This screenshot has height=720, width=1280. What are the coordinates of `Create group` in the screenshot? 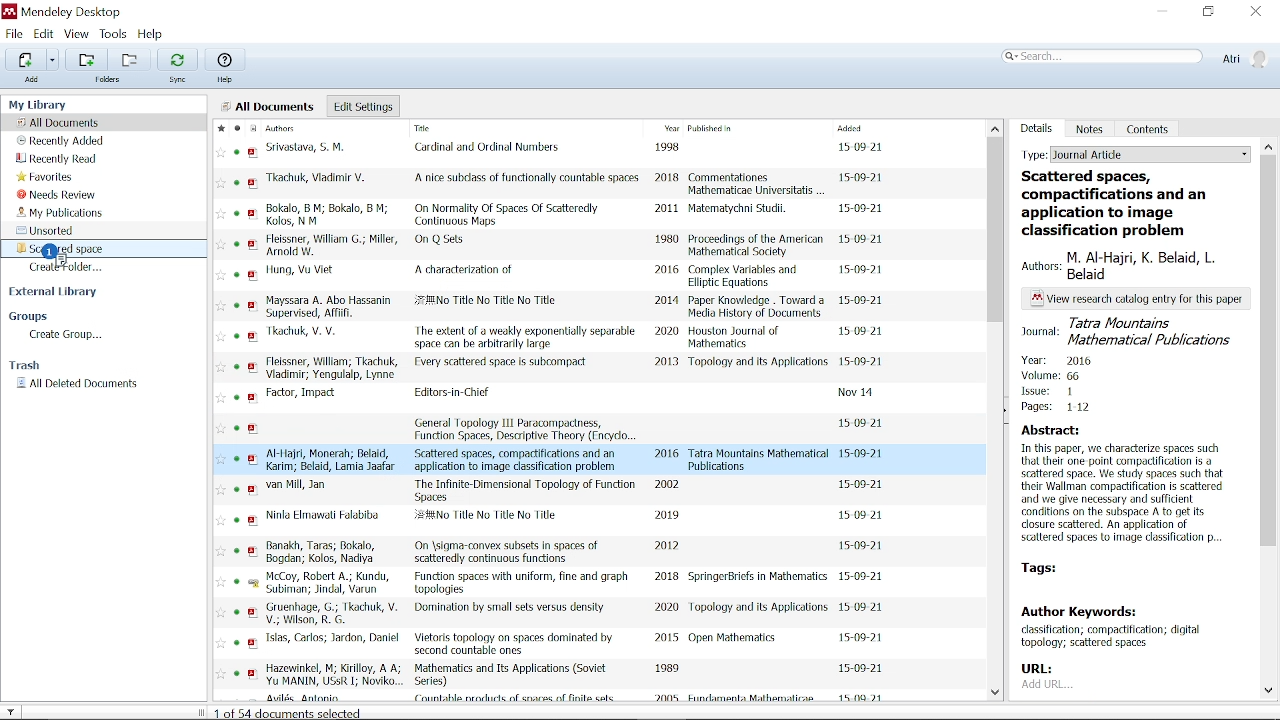 It's located at (67, 336).